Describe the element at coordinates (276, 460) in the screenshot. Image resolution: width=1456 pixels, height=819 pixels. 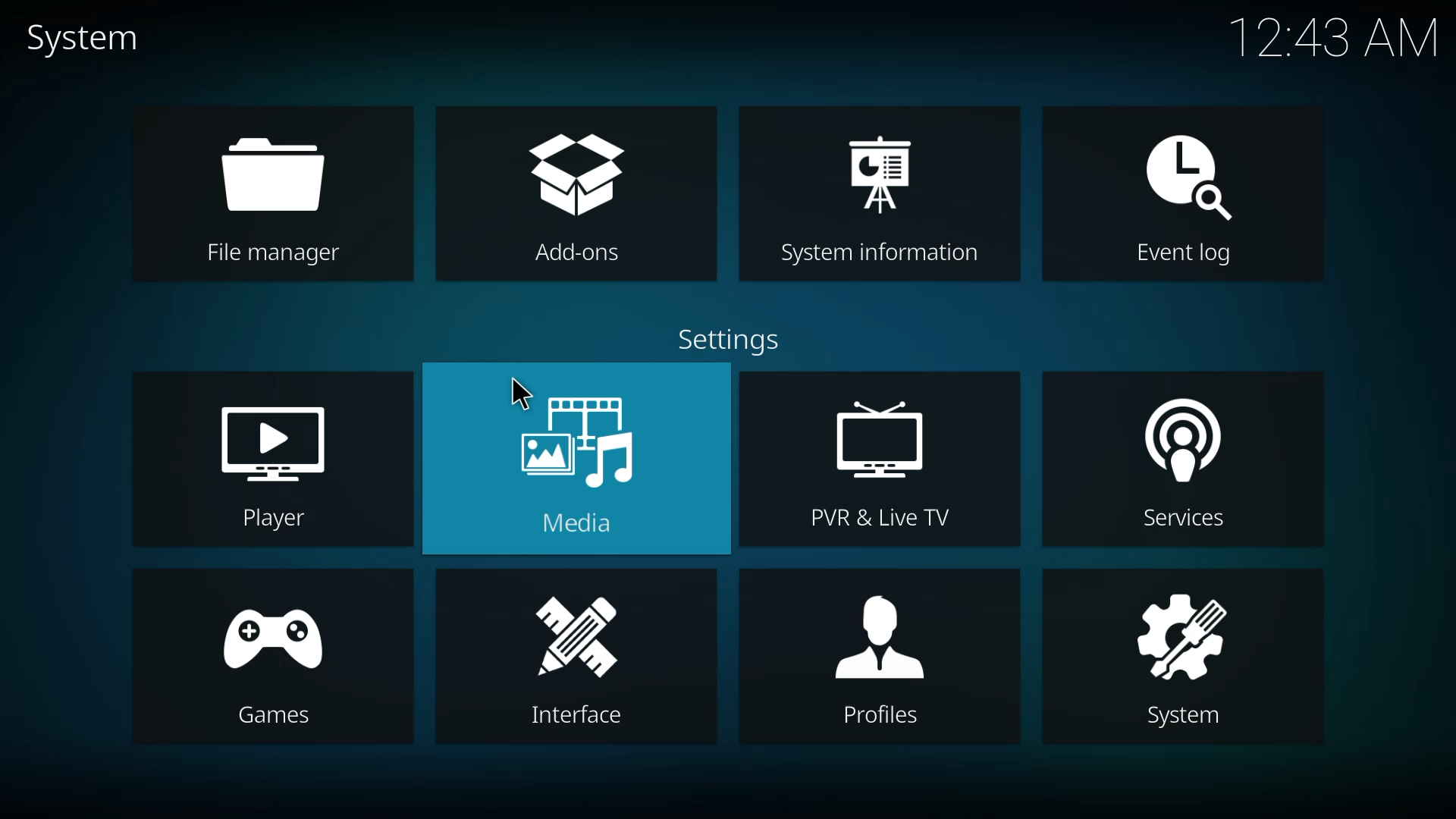
I see `player` at that location.